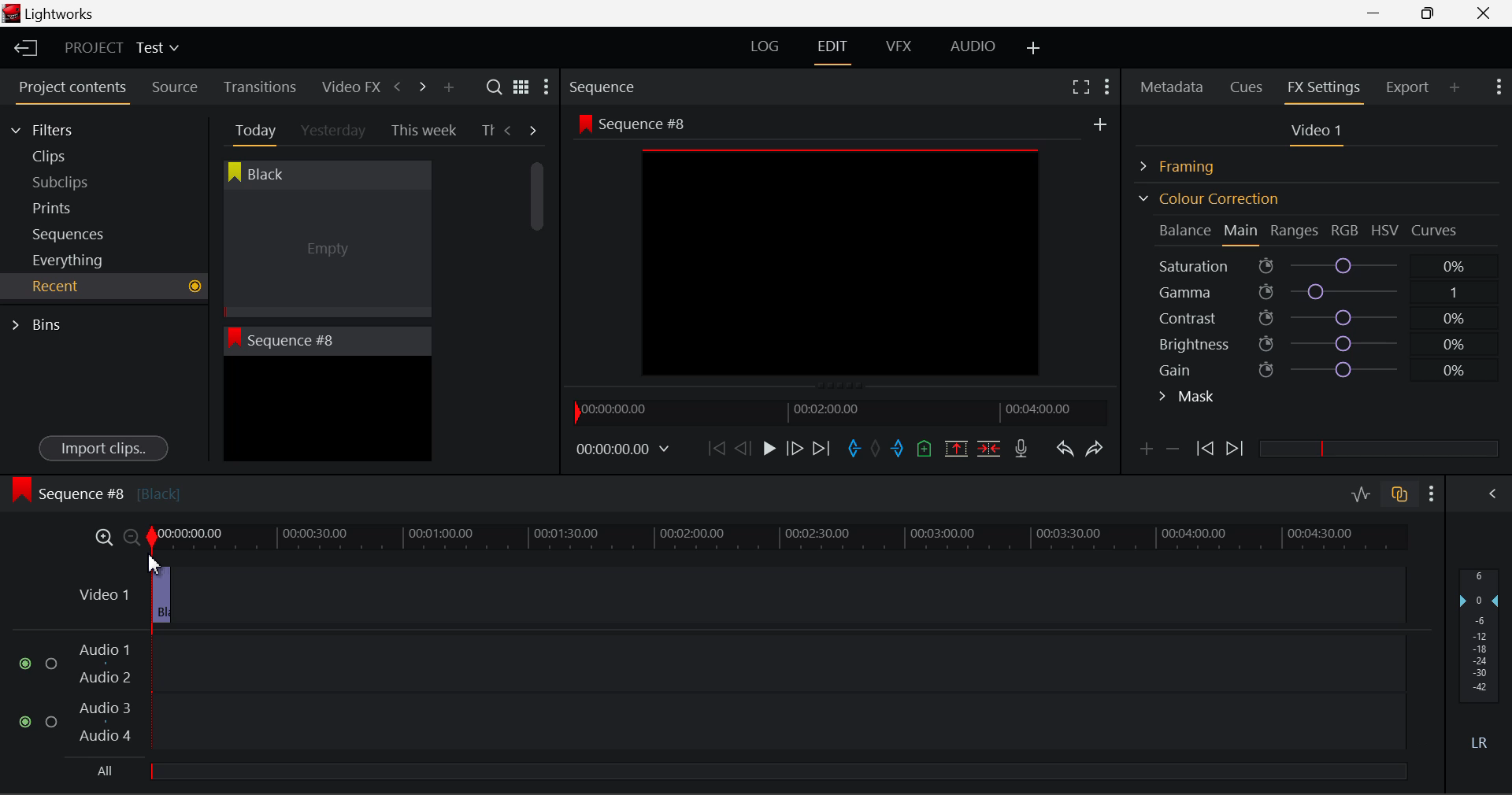 This screenshot has height=795, width=1512. What do you see at coordinates (152, 560) in the screenshot?
I see `MOUSE_UP Cursor Position` at bounding box center [152, 560].